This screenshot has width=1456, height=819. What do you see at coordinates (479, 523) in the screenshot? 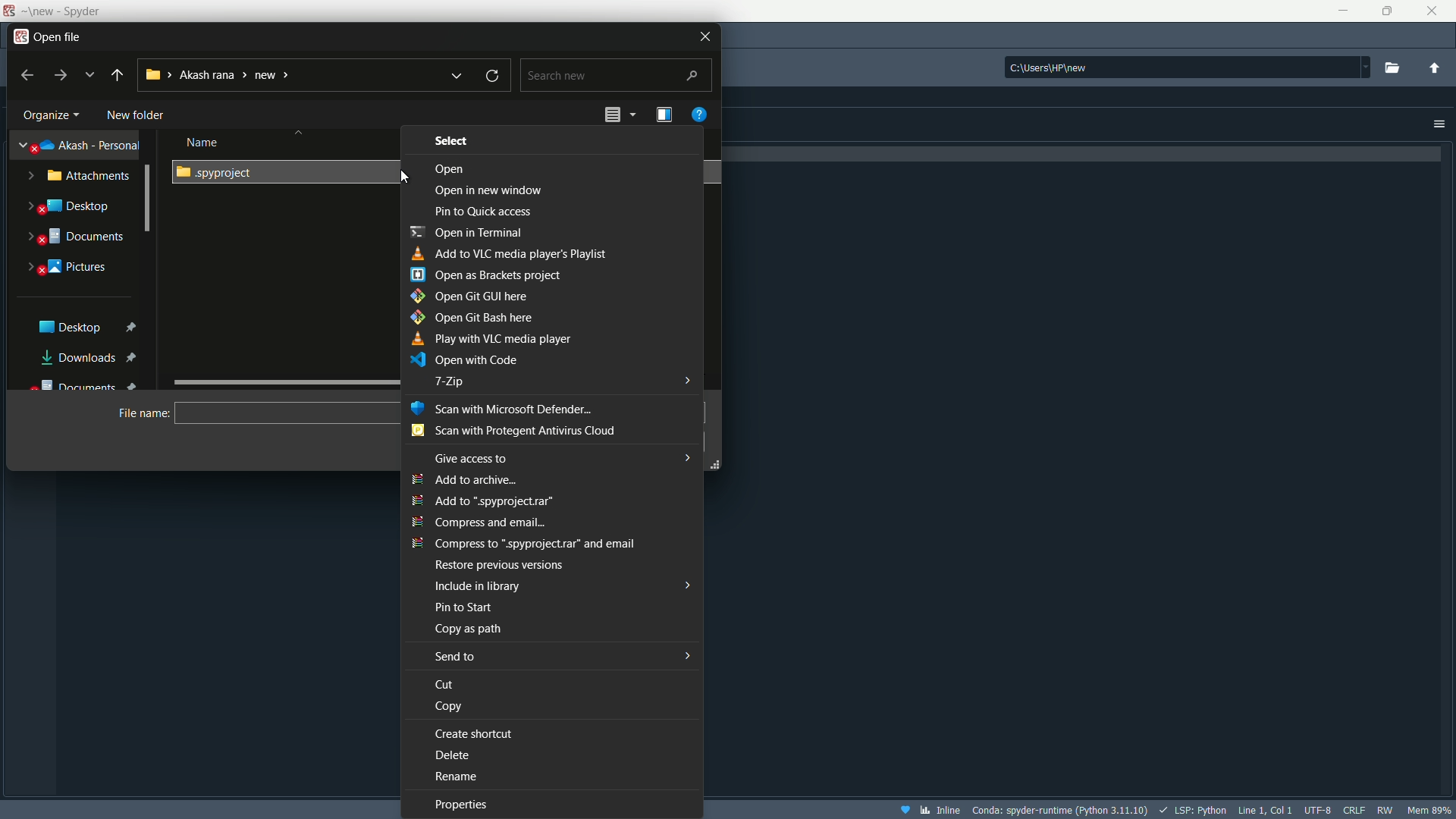
I see `Compress and email` at bounding box center [479, 523].